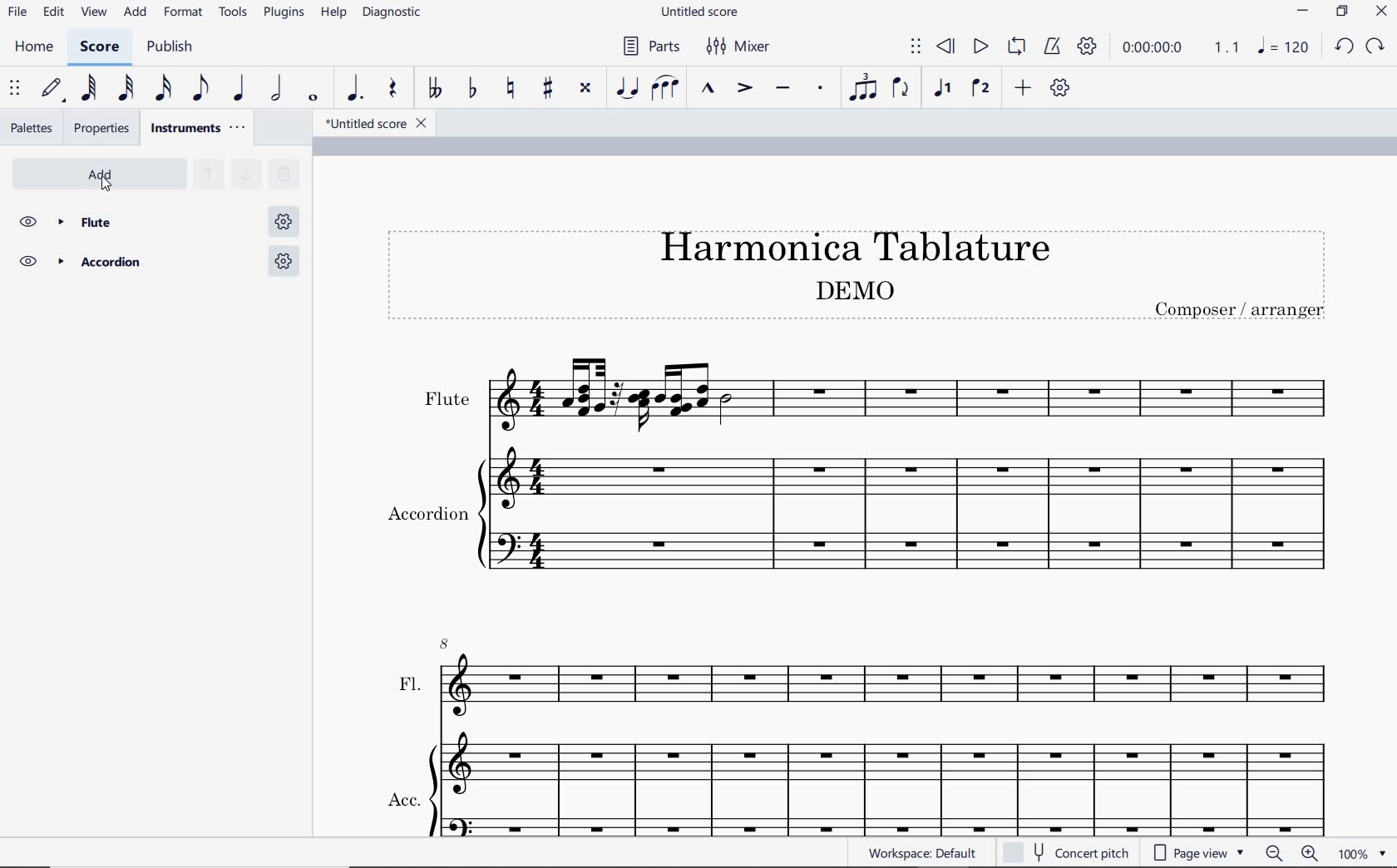  What do you see at coordinates (1062, 88) in the screenshot?
I see `customize toolbar` at bounding box center [1062, 88].